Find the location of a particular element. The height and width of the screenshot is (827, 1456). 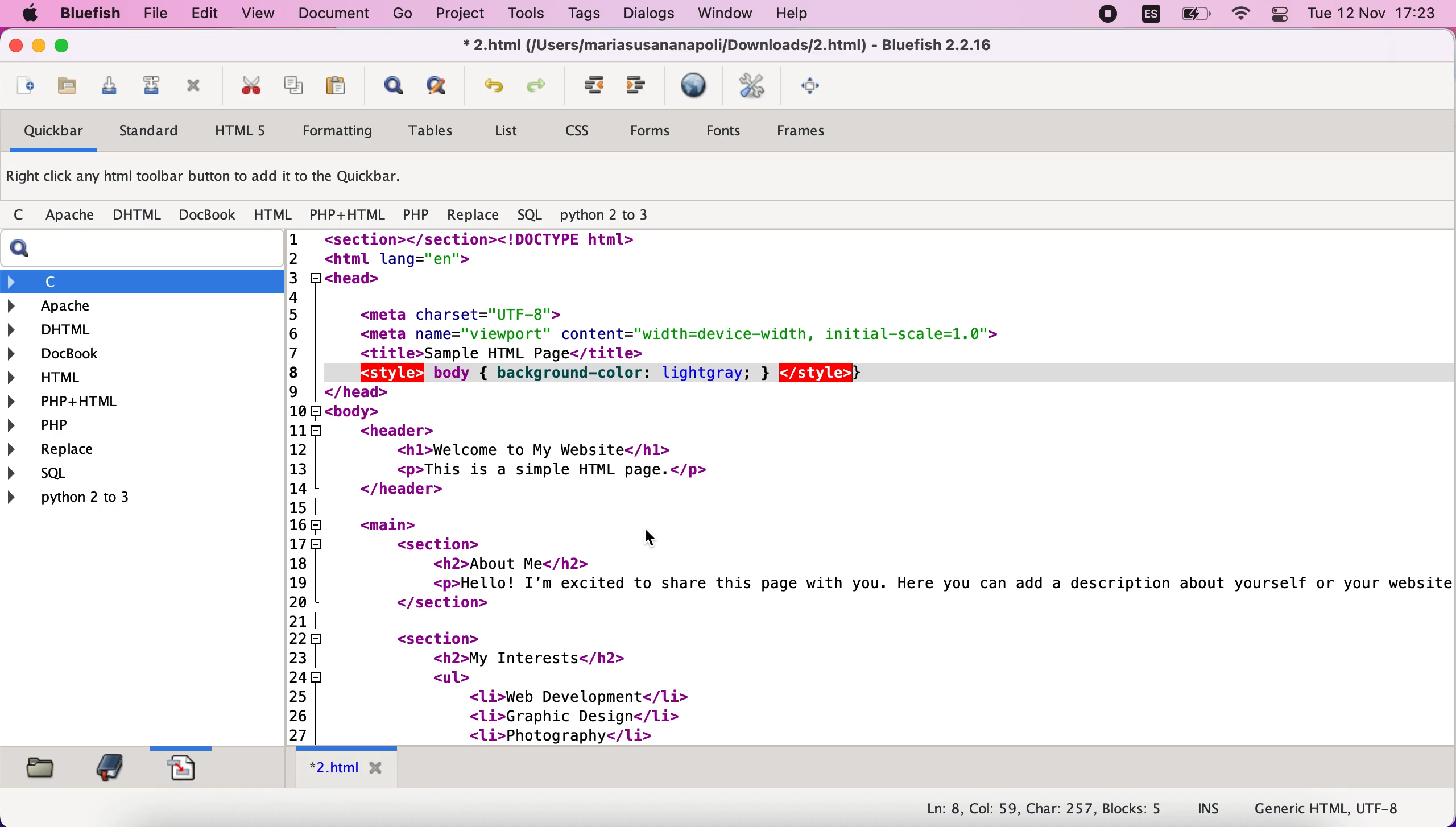

Ln: 8, Col: 59, Char: 257, Blocks: 5 is located at coordinates (1042, 807).